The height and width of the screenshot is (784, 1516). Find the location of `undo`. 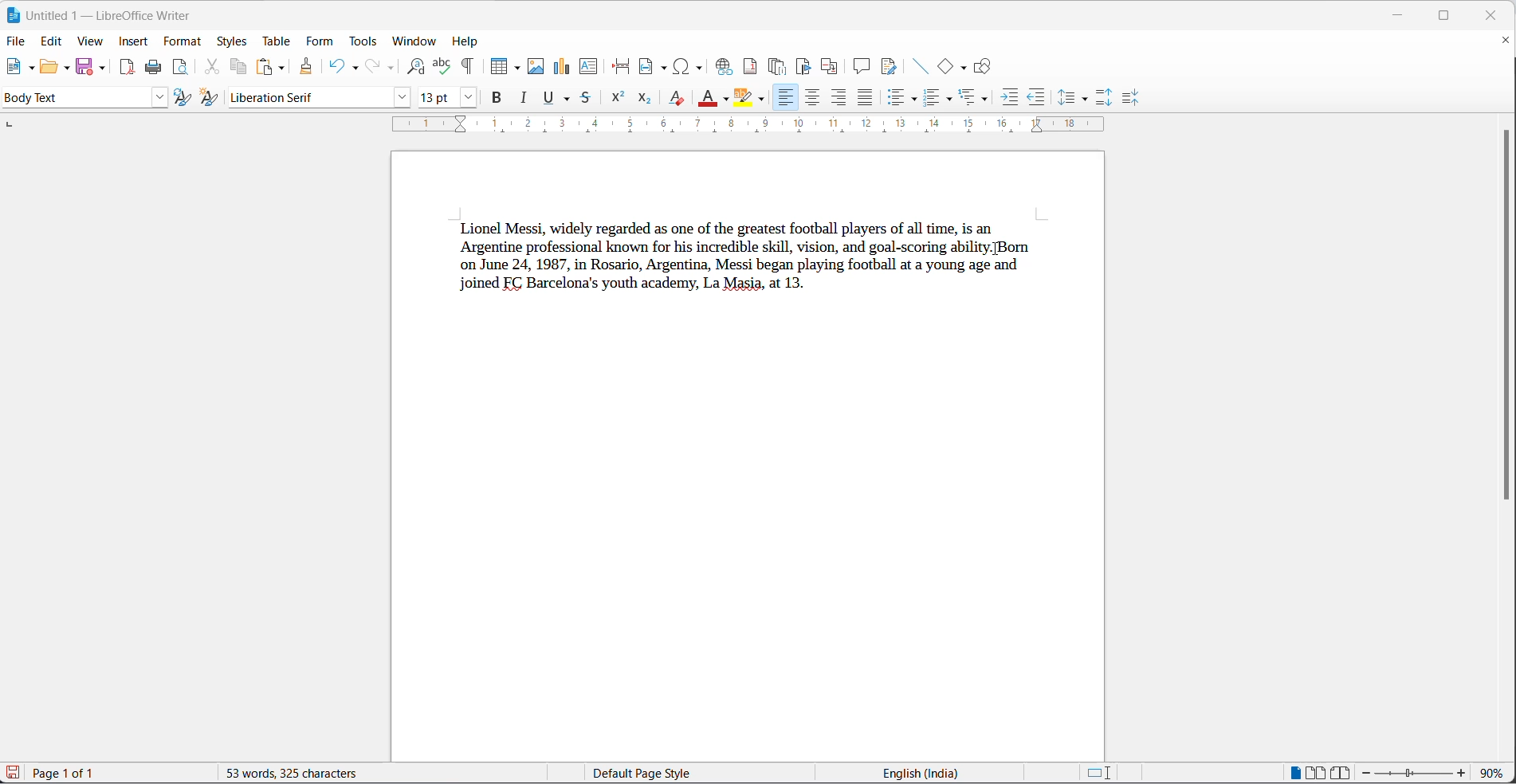

undo is located at coordinates (334, 67).